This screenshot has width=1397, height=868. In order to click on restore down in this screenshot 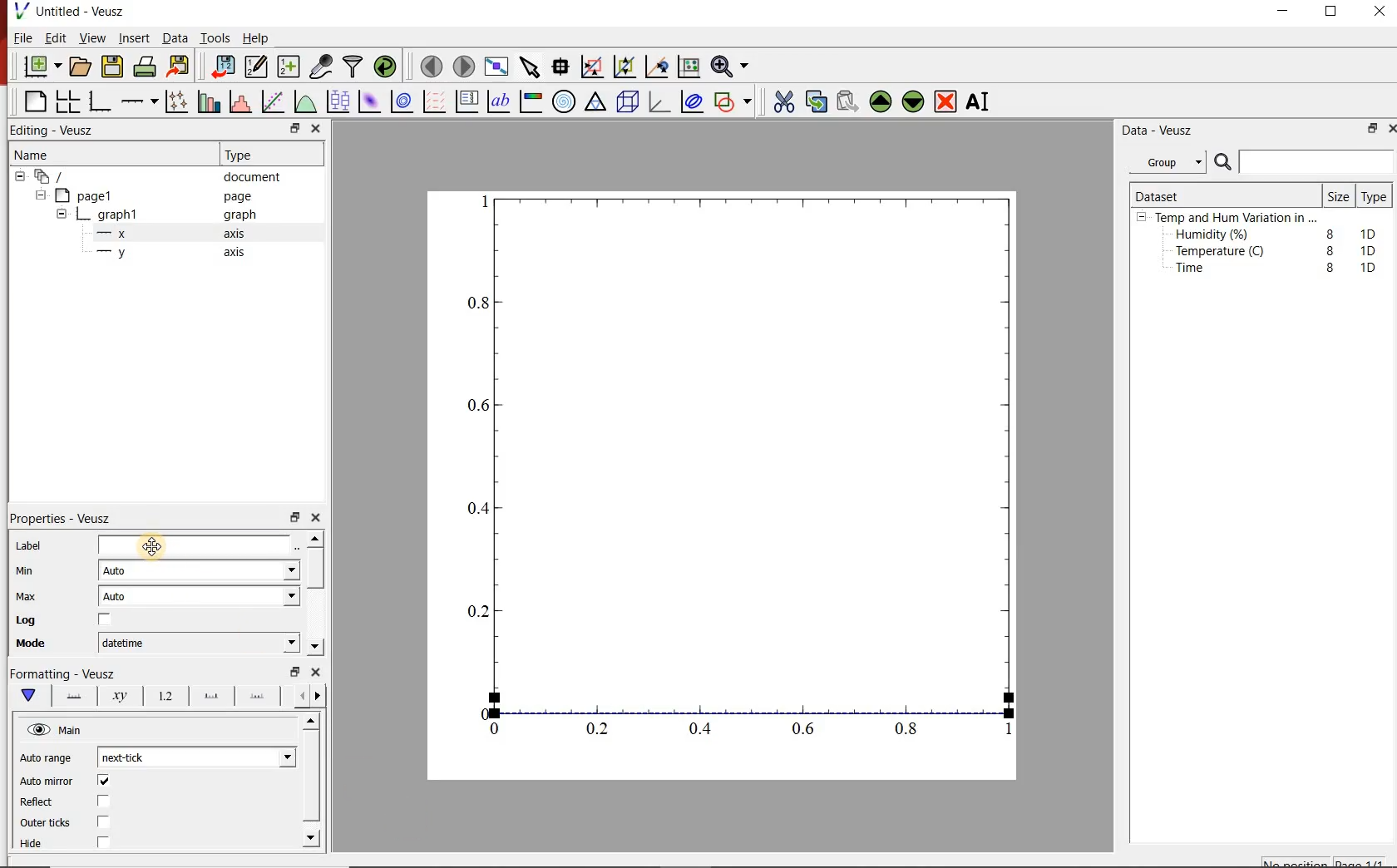, I will do `click(294, 518)`.